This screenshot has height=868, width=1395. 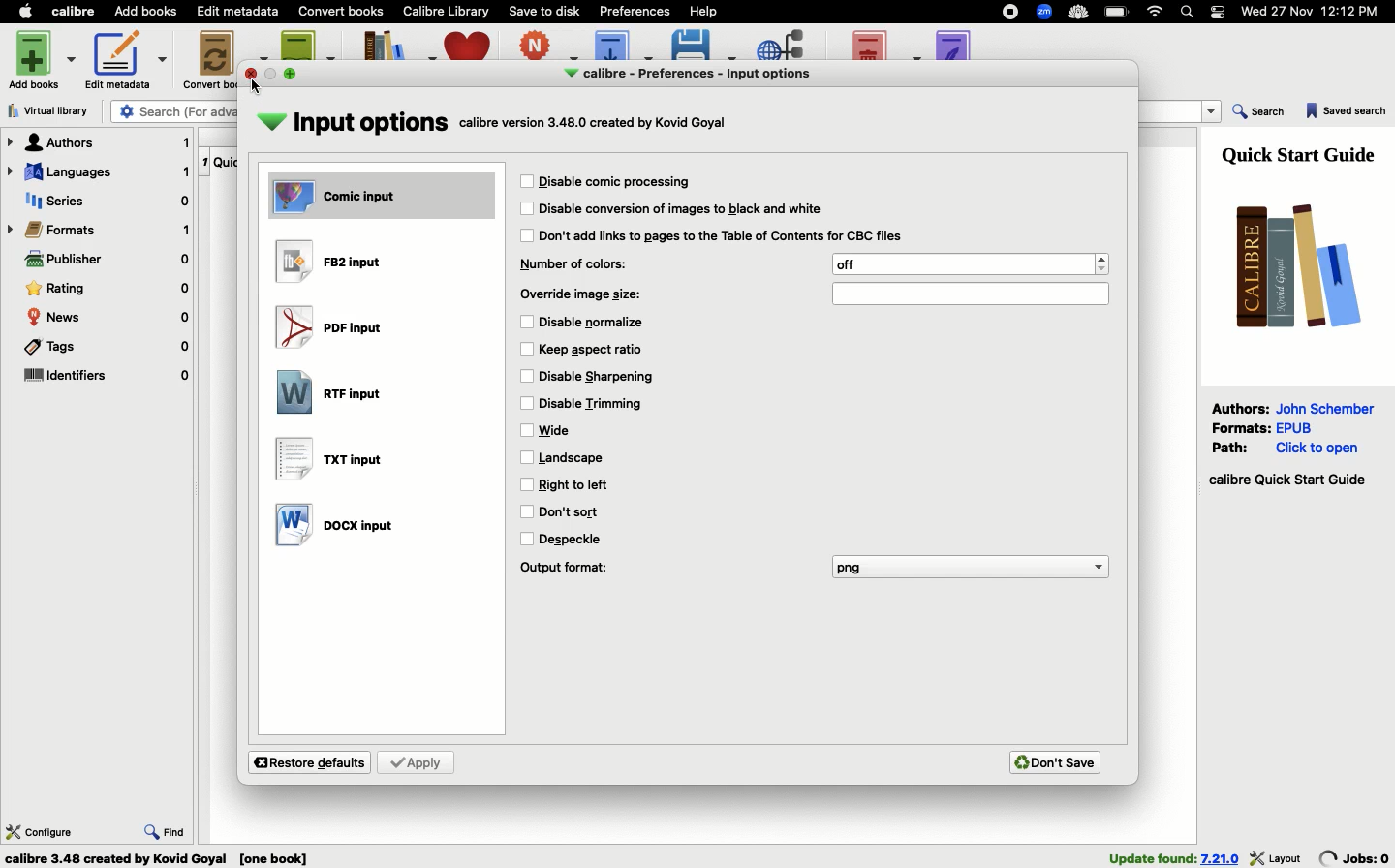 I want to click on Search bar, so click(x=1189, y=13).